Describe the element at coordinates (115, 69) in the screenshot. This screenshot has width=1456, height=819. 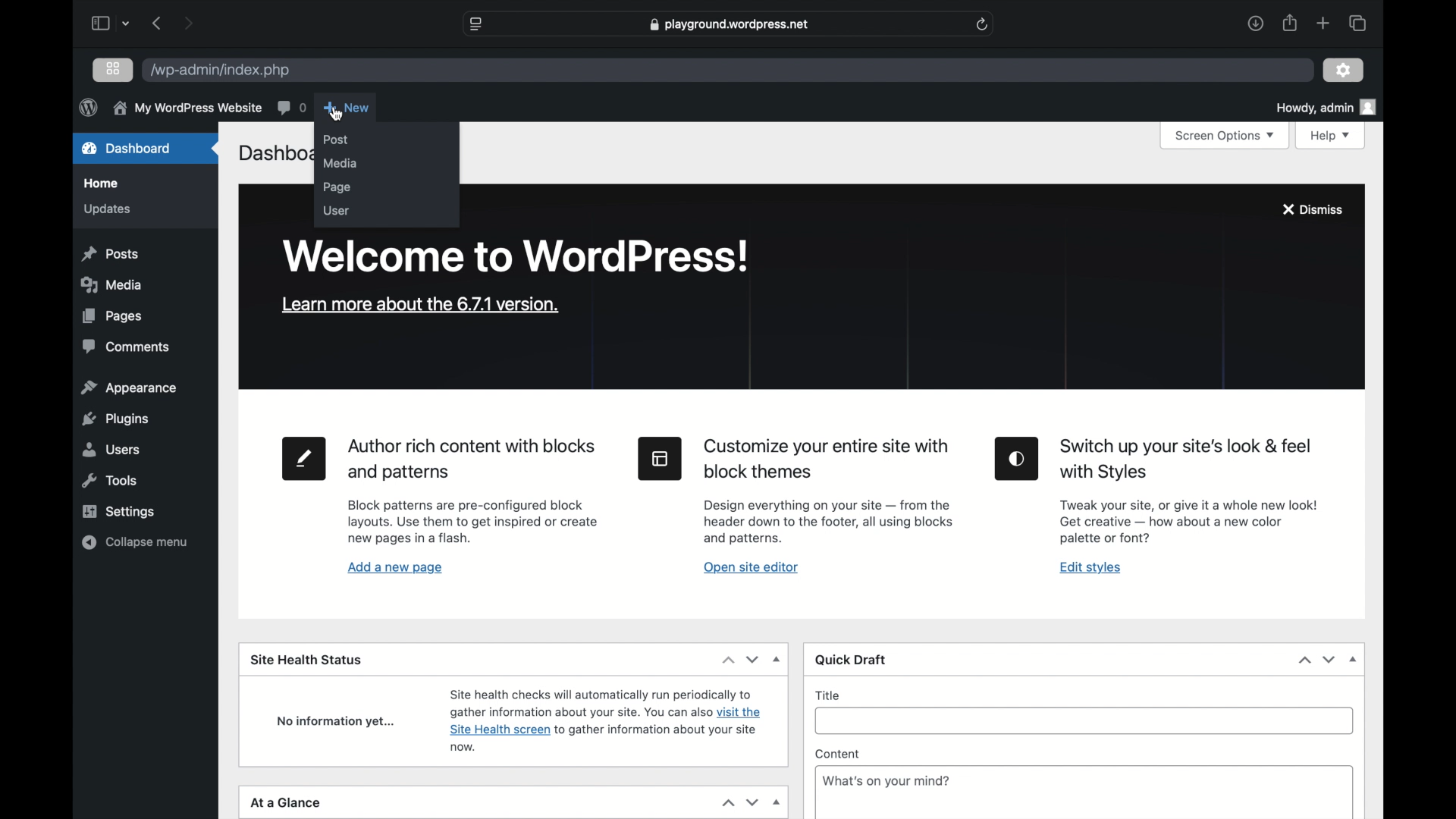
I see `grid view` at that location.